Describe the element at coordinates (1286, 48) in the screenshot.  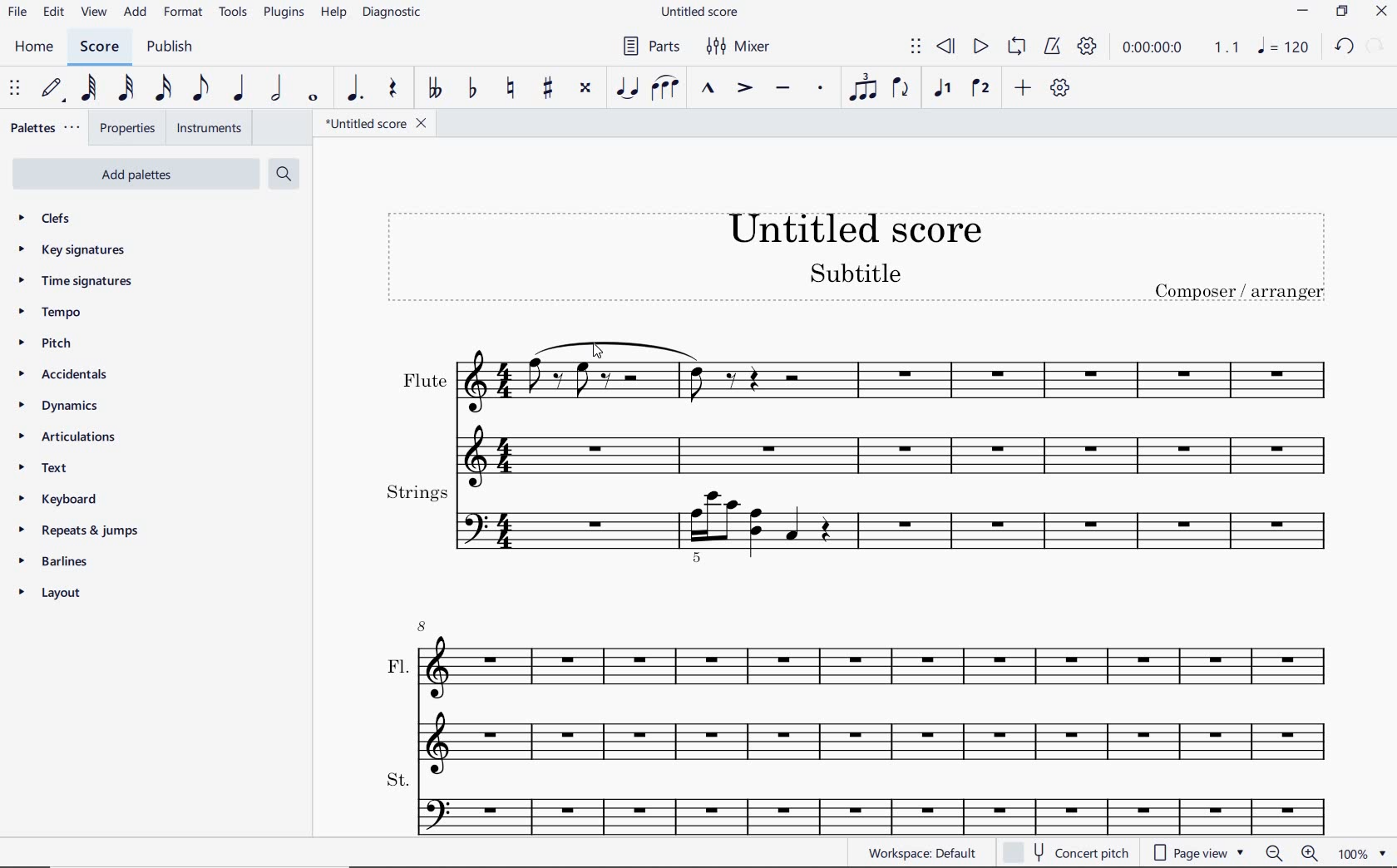
I see `NOTE` at that location.